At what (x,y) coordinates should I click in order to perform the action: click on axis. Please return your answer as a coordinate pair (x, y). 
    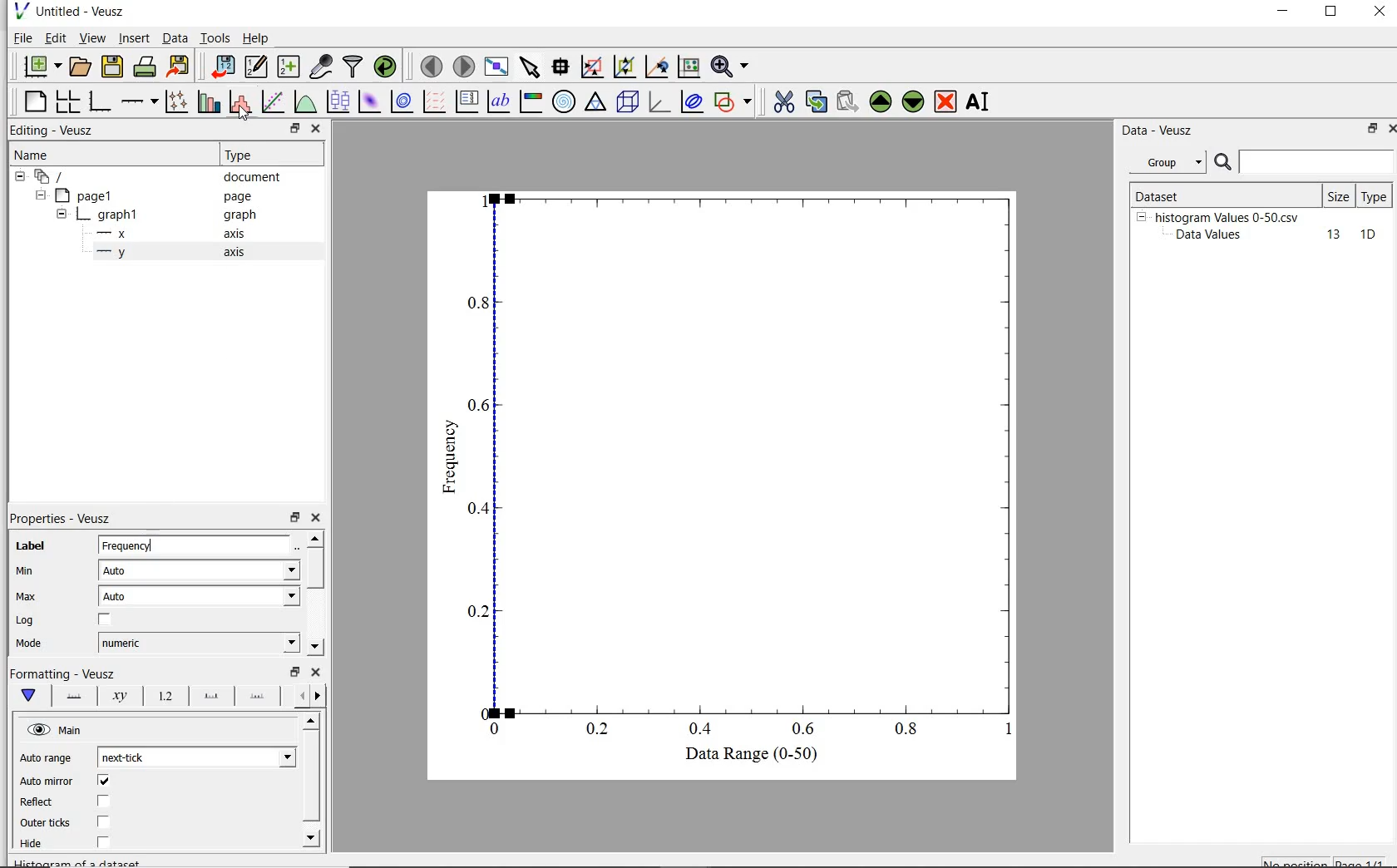
    Looking at the image, I should click on (241, 234).